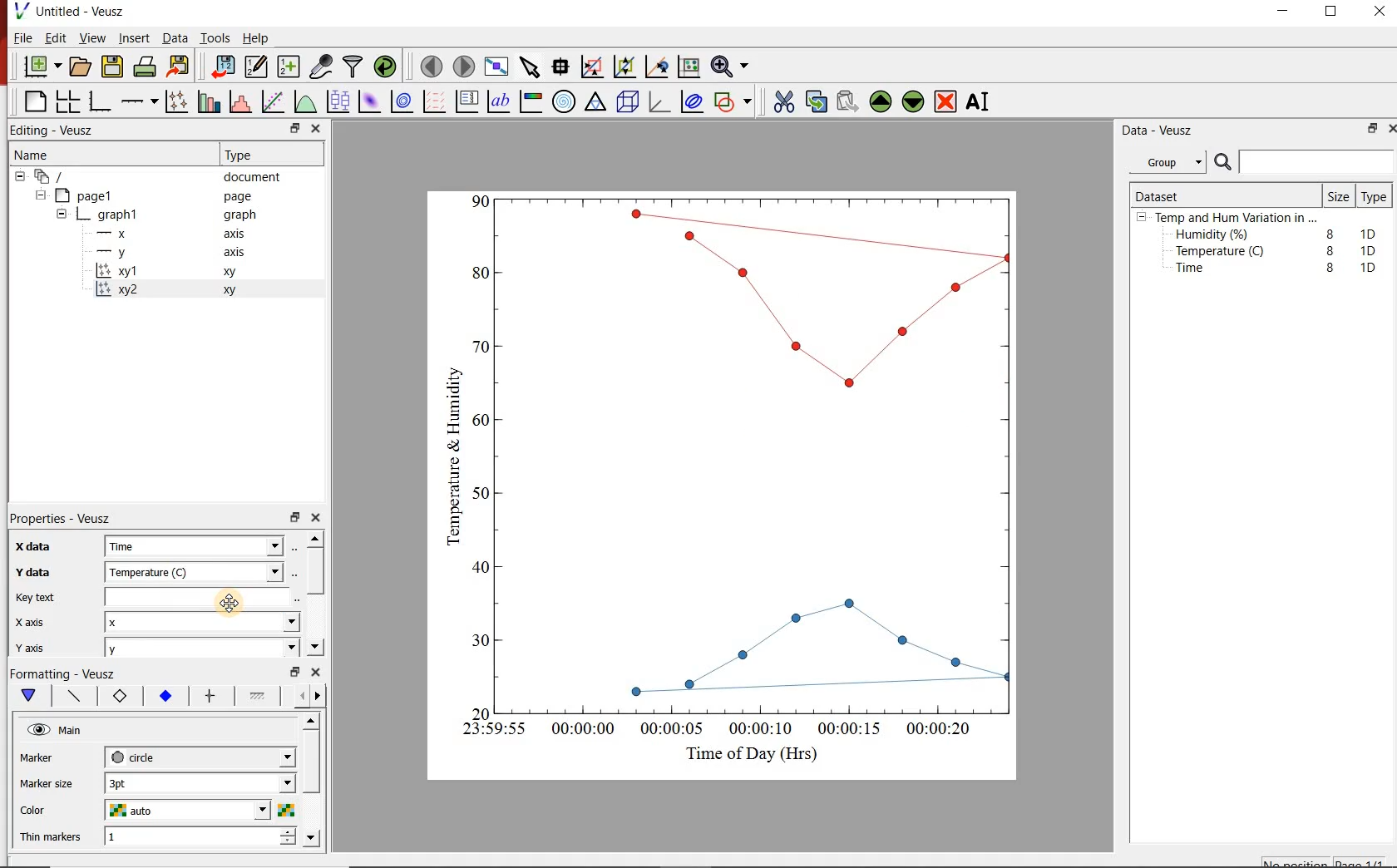  I want to click on hide sub menu, so click(43, 197).